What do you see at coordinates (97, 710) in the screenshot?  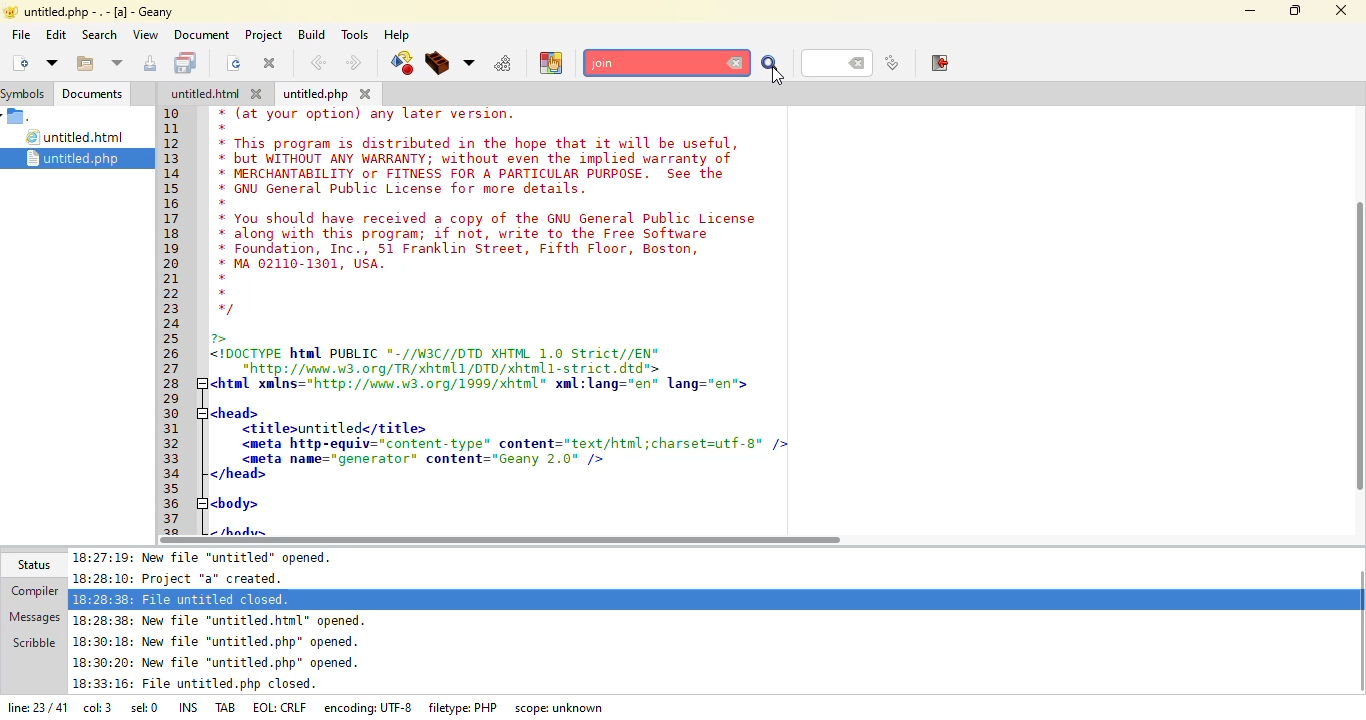 I see `col: 3` at bounding box center [97, 710].